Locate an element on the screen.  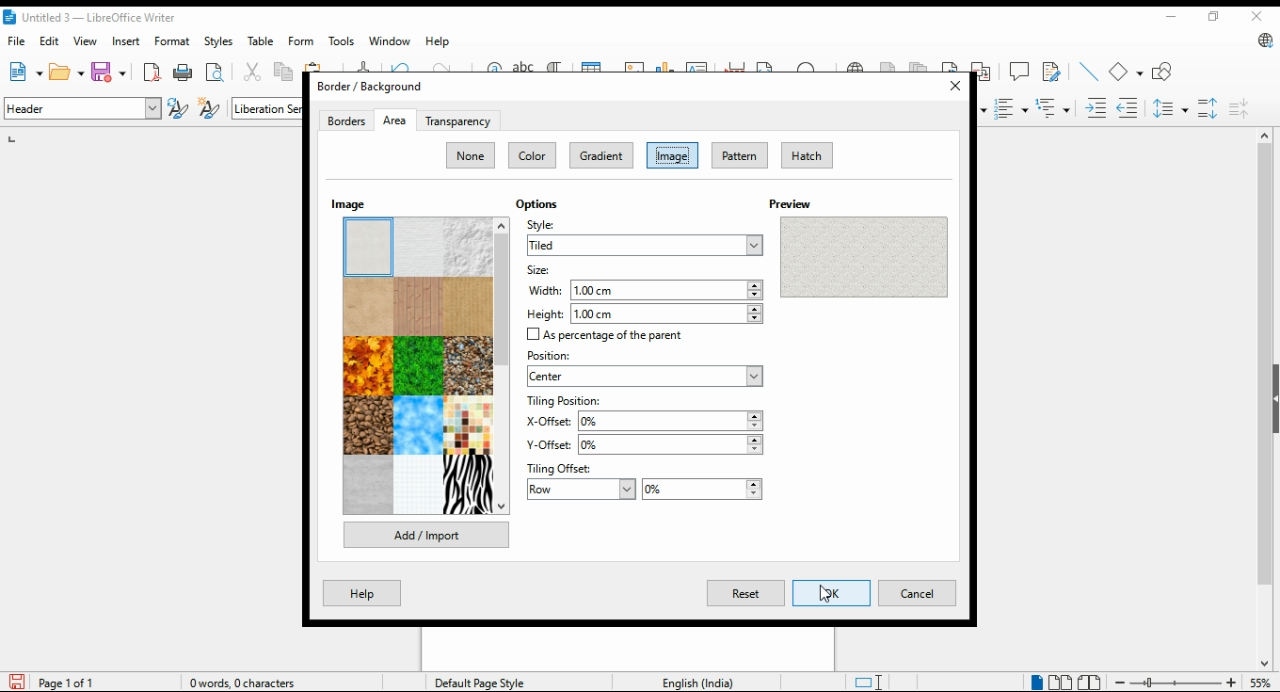
row is located at coordinates (580, 490).